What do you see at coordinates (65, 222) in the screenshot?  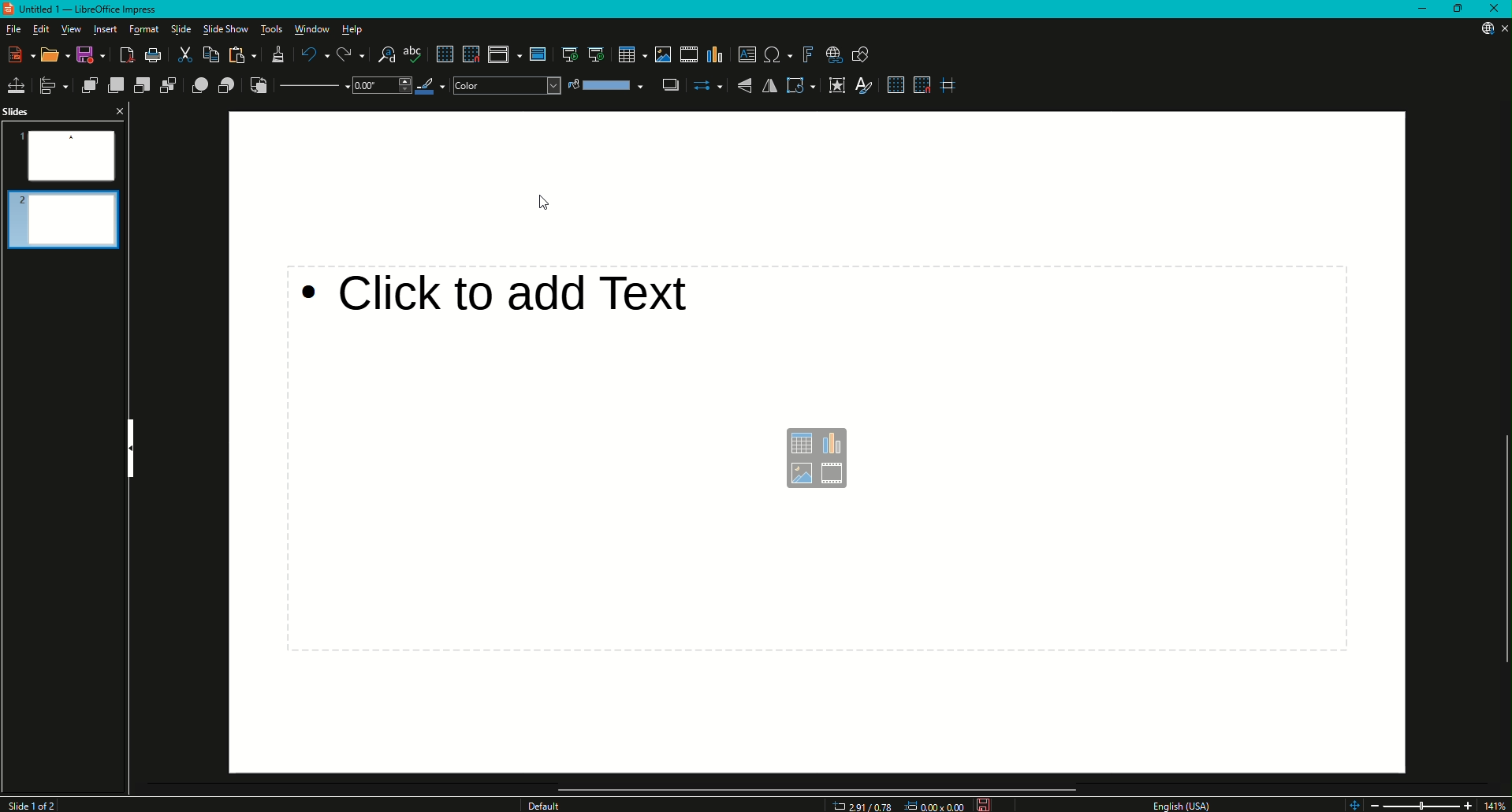 I see `Slide 2 Preview` at bounding box center [65, 222].